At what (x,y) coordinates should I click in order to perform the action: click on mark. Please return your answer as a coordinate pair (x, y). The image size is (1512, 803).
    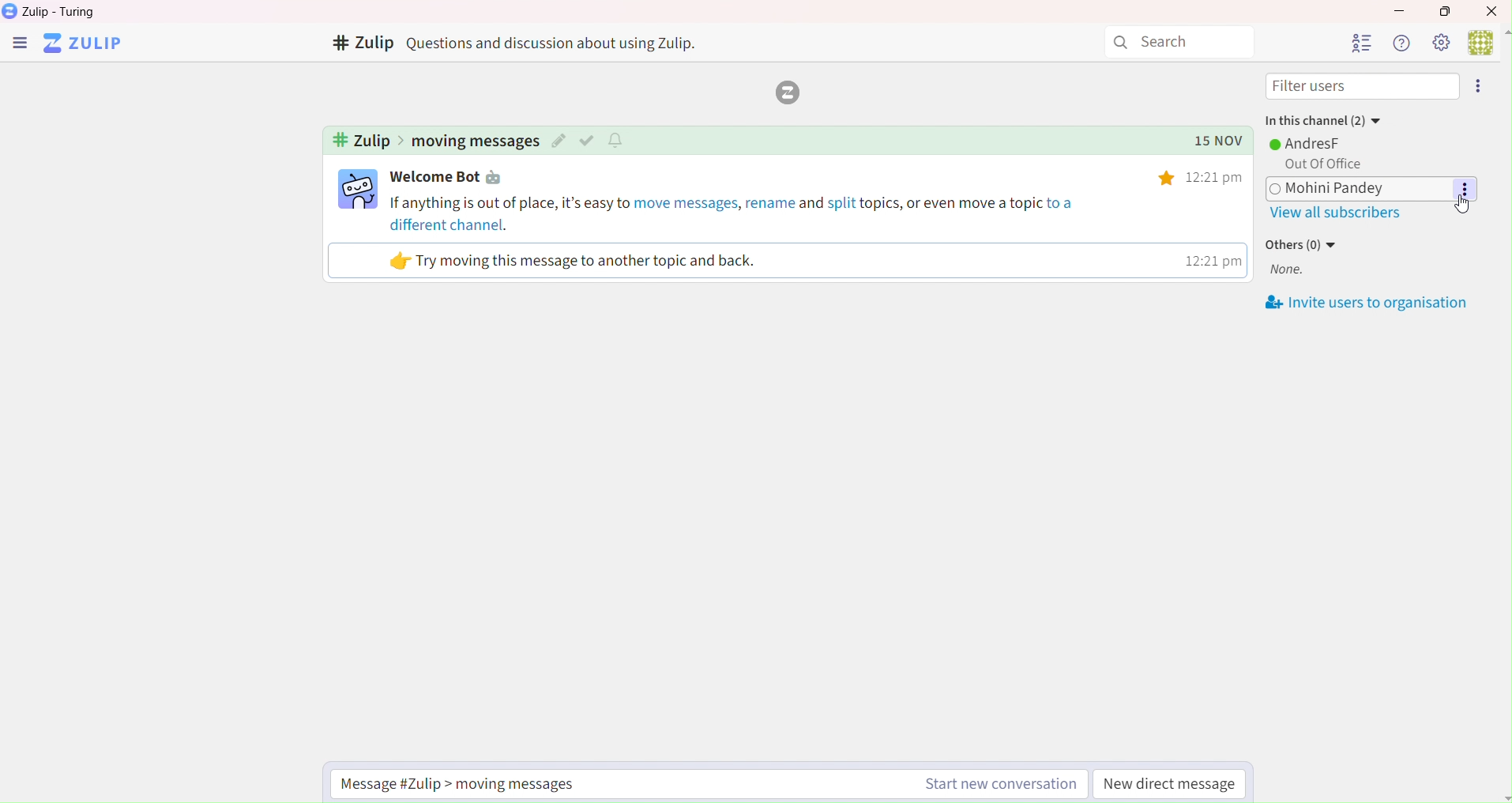
    Looking at the image, I should click on (589, 140).